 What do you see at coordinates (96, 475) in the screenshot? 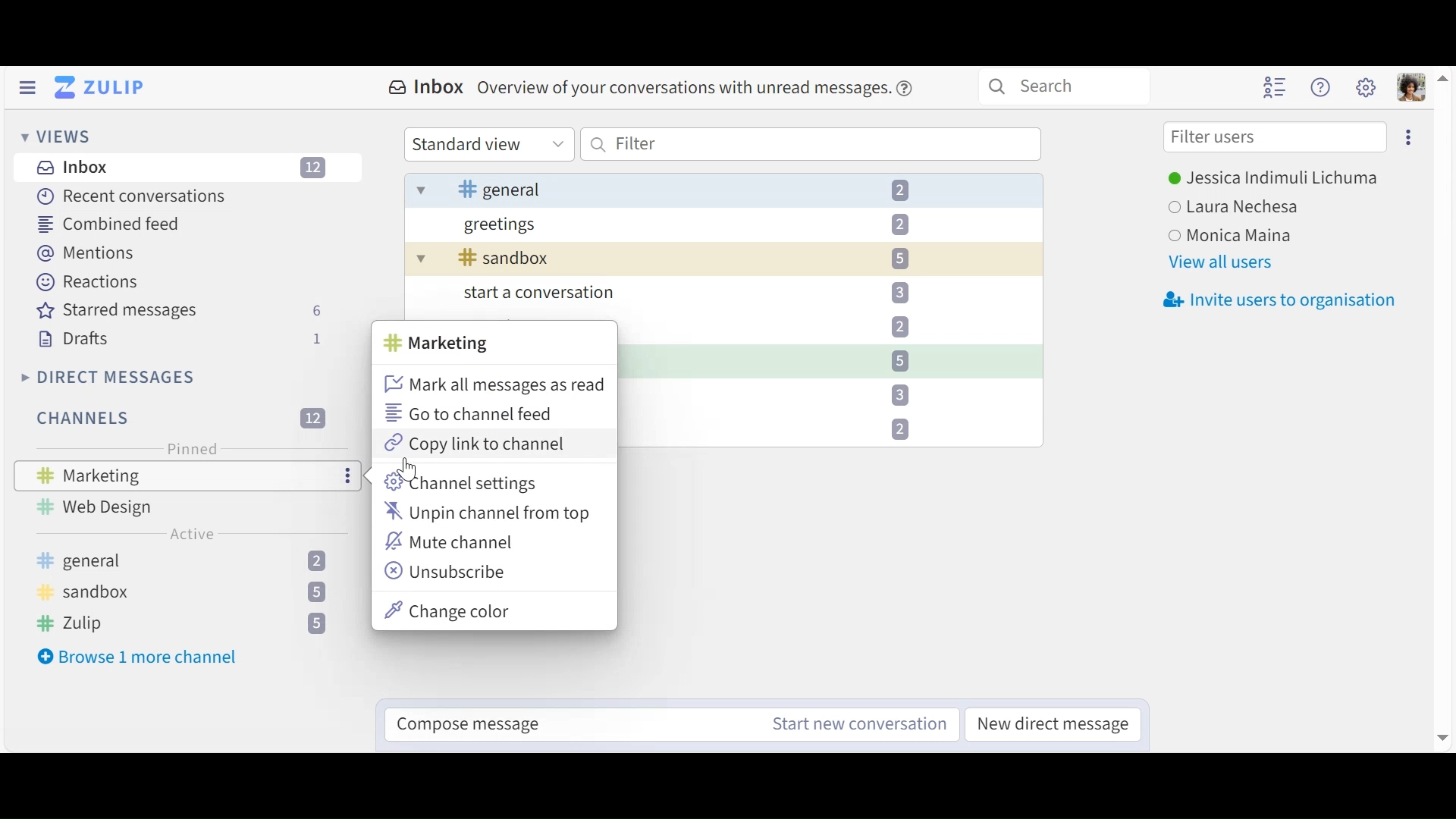
I see `Marketing` at bounding box center [96, 475].